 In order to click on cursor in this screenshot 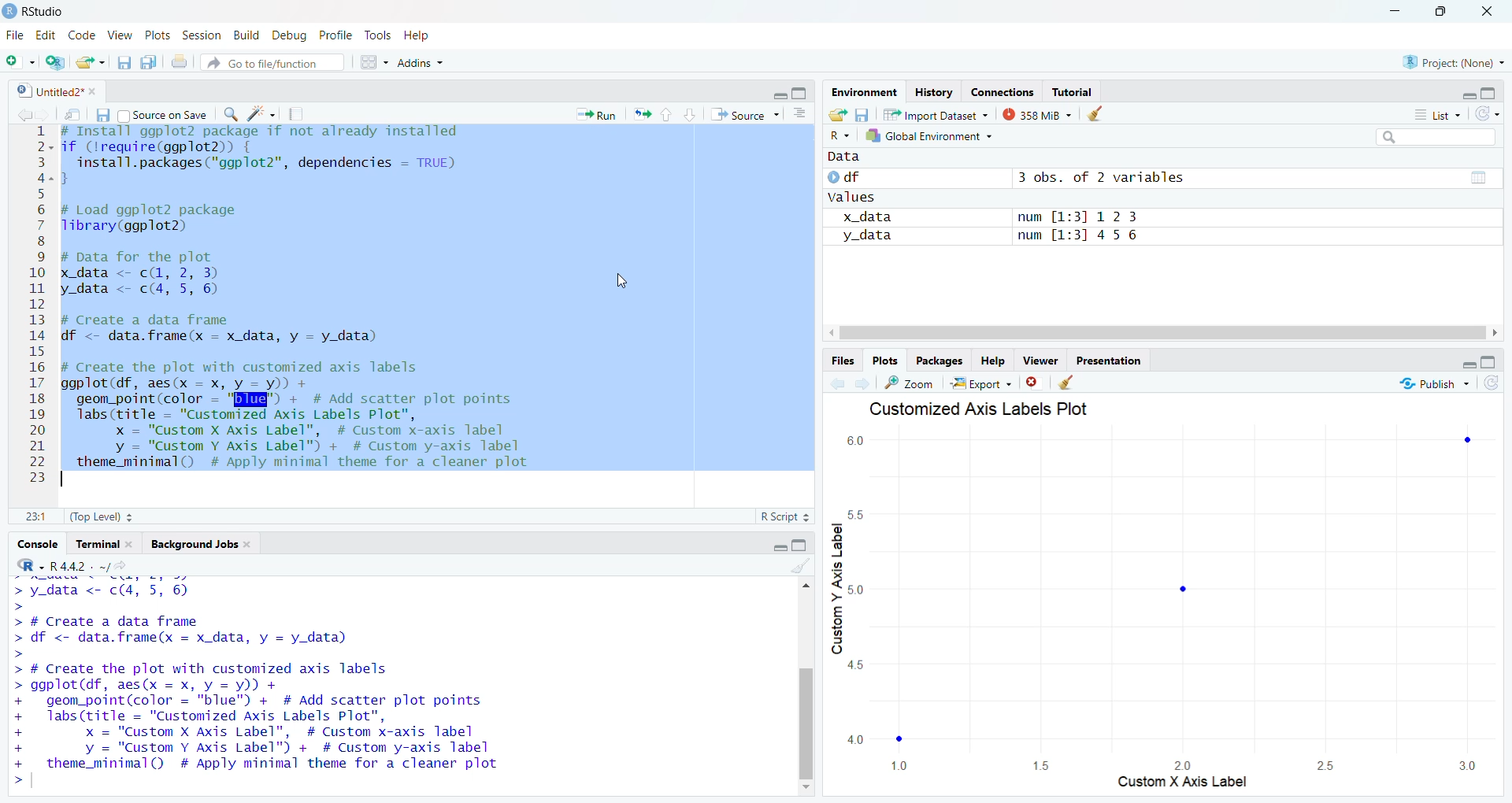, I will do `click(624, 282)`.